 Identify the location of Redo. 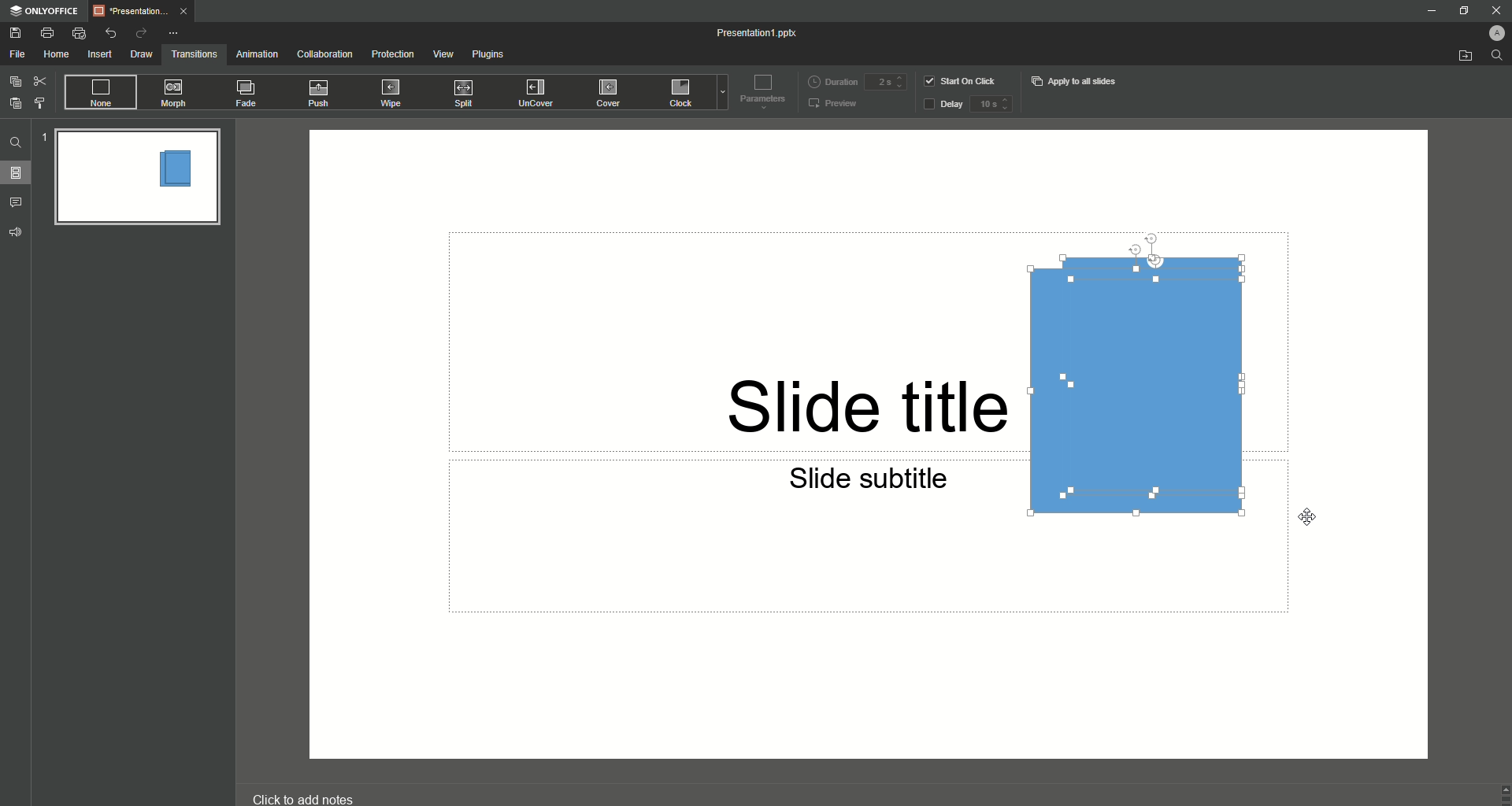
(140, 33).